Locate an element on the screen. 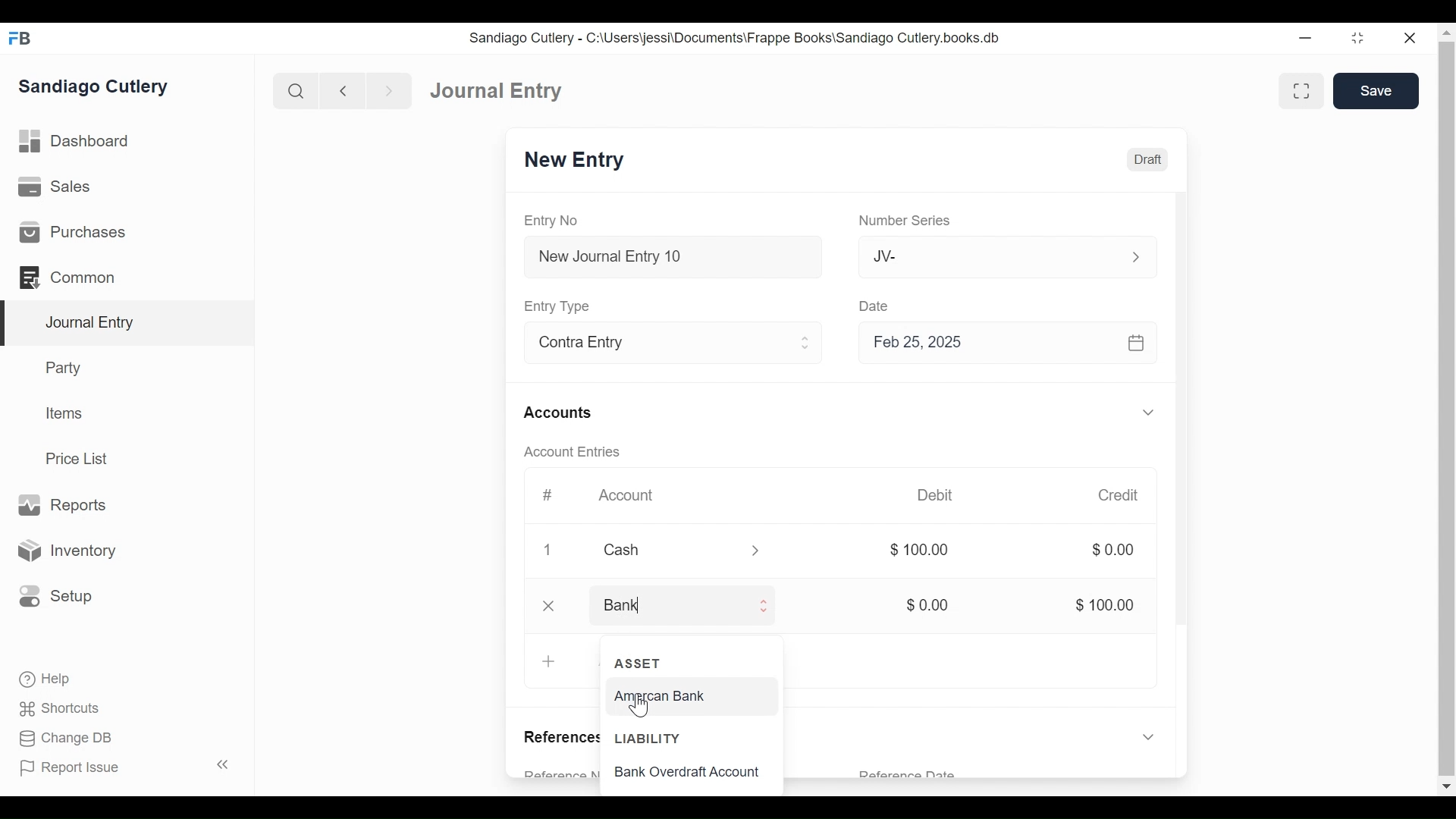 The width and height of the screenshot is (1456, 819). Save is located at coordinates (1377, 91).